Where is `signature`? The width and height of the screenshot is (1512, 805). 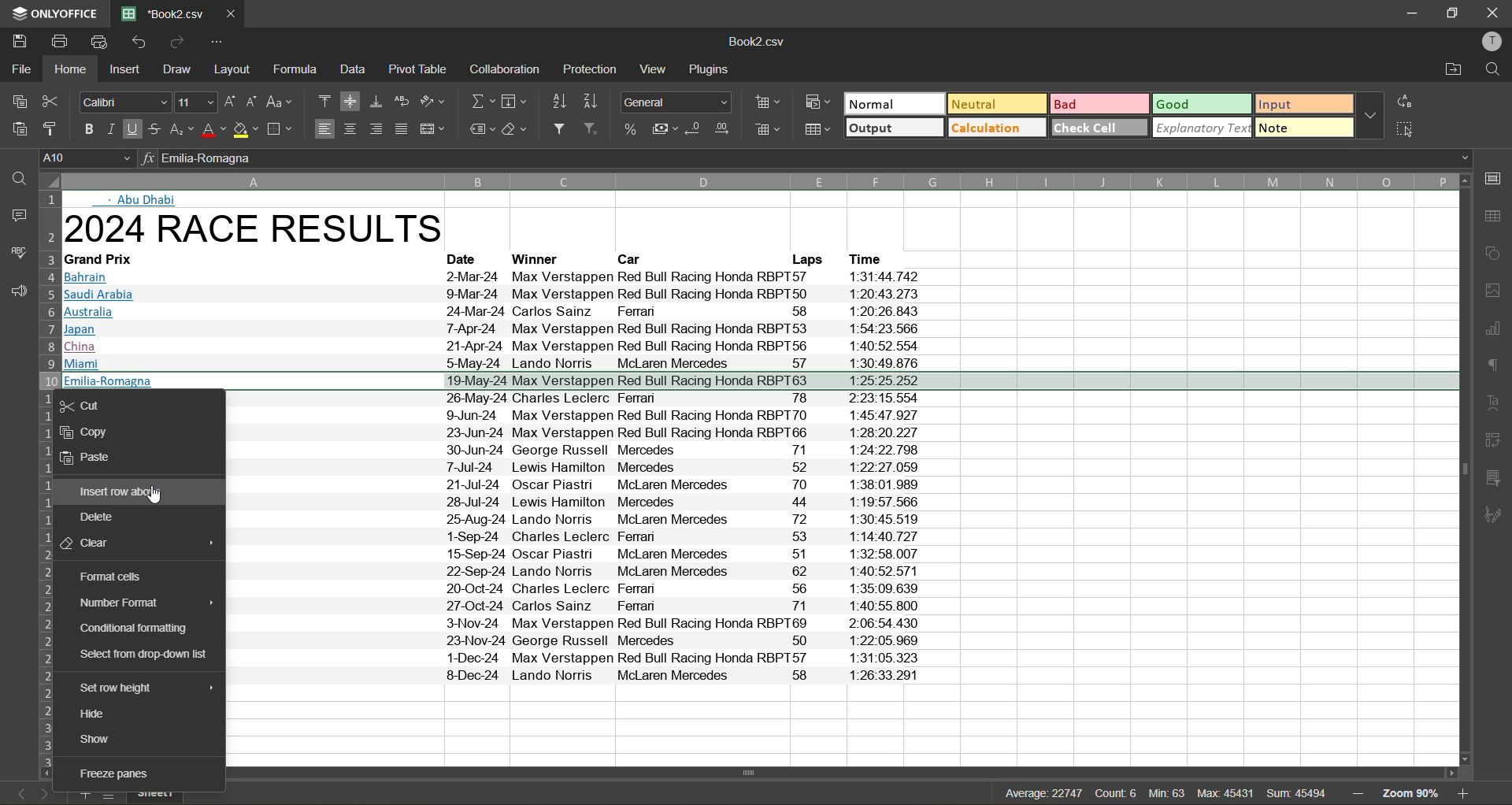
signature is located at coordinates (1498, 517).